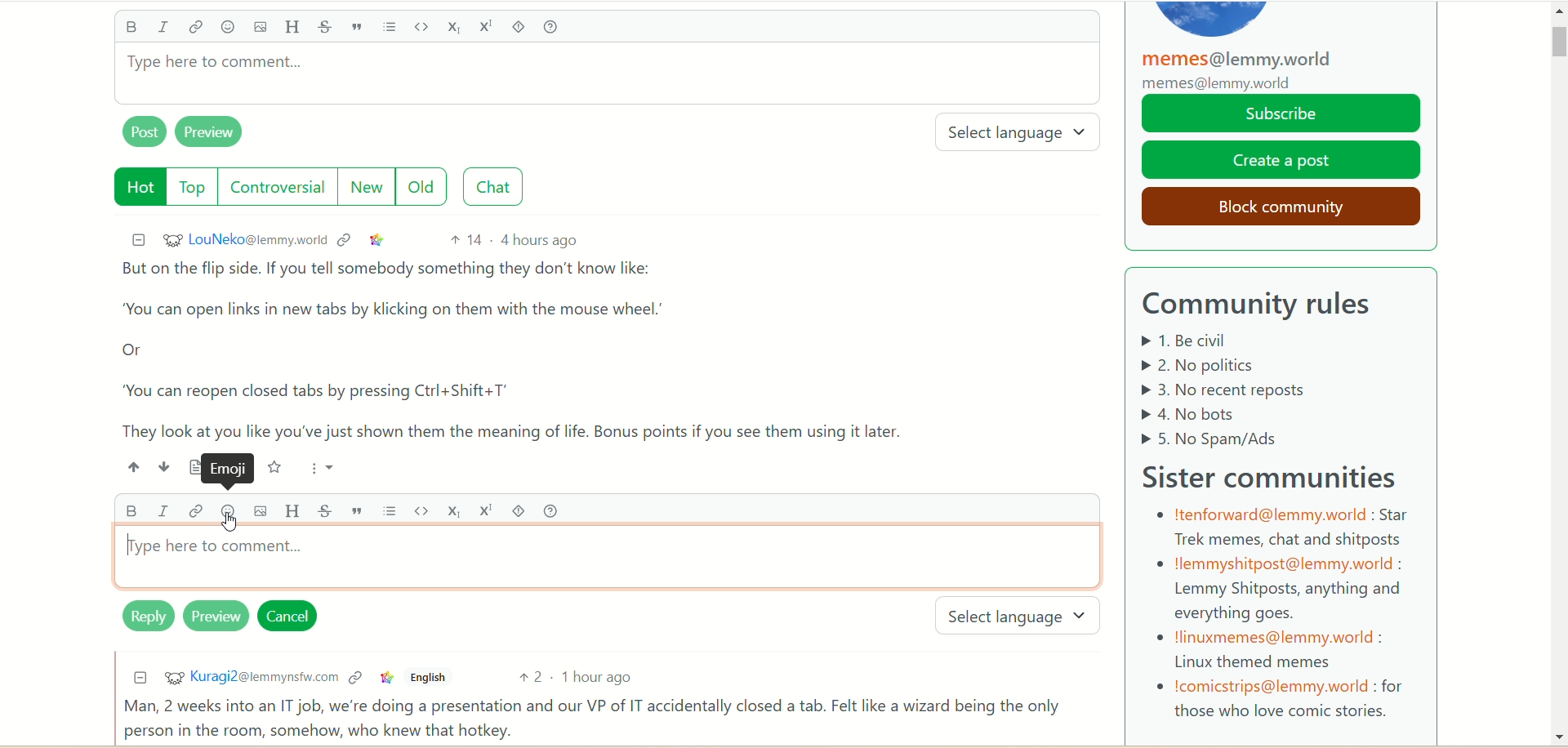  I want to click on old, so click(429, 188).